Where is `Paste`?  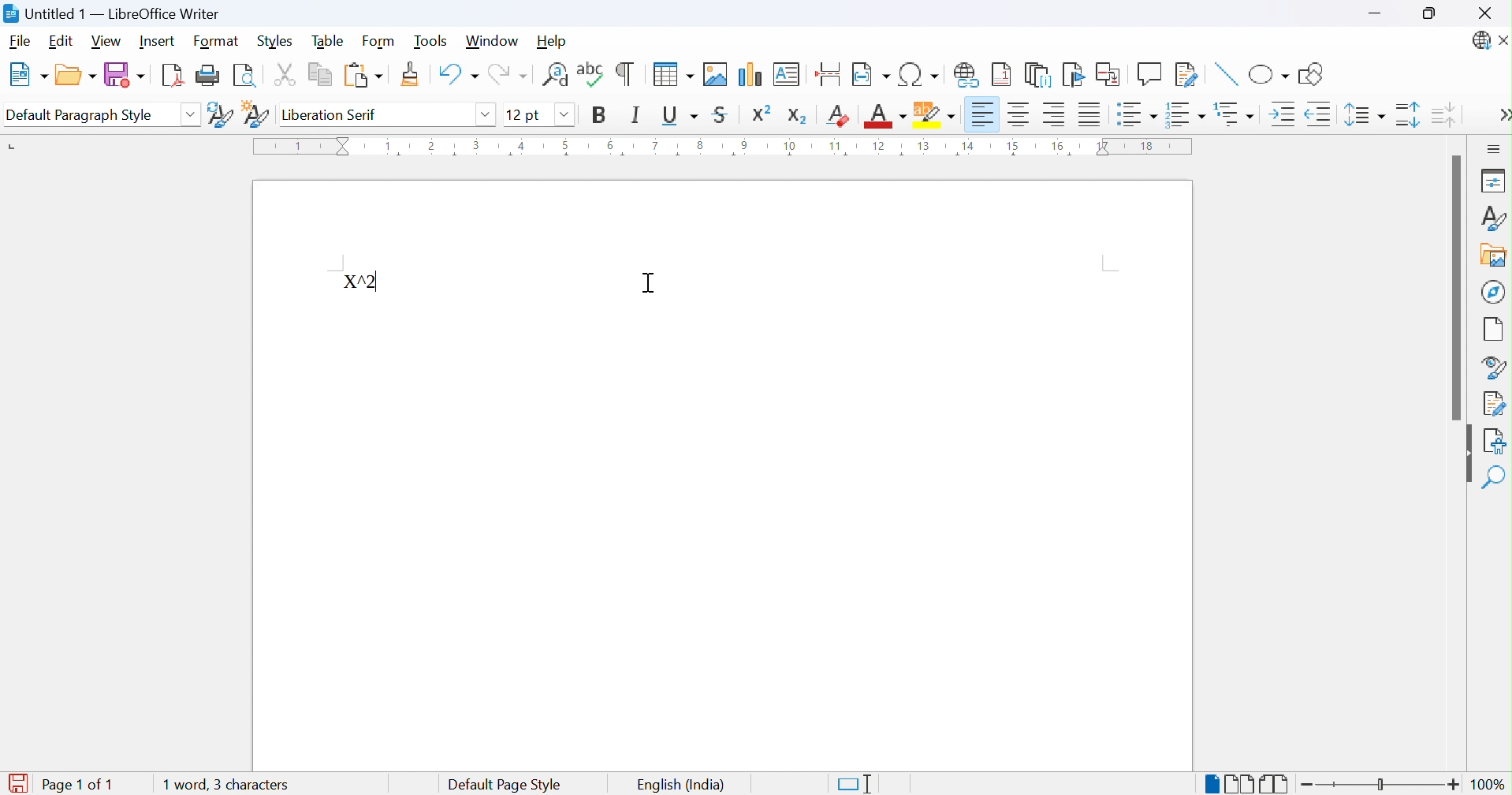
Paste is located at coordinates (363, 76).